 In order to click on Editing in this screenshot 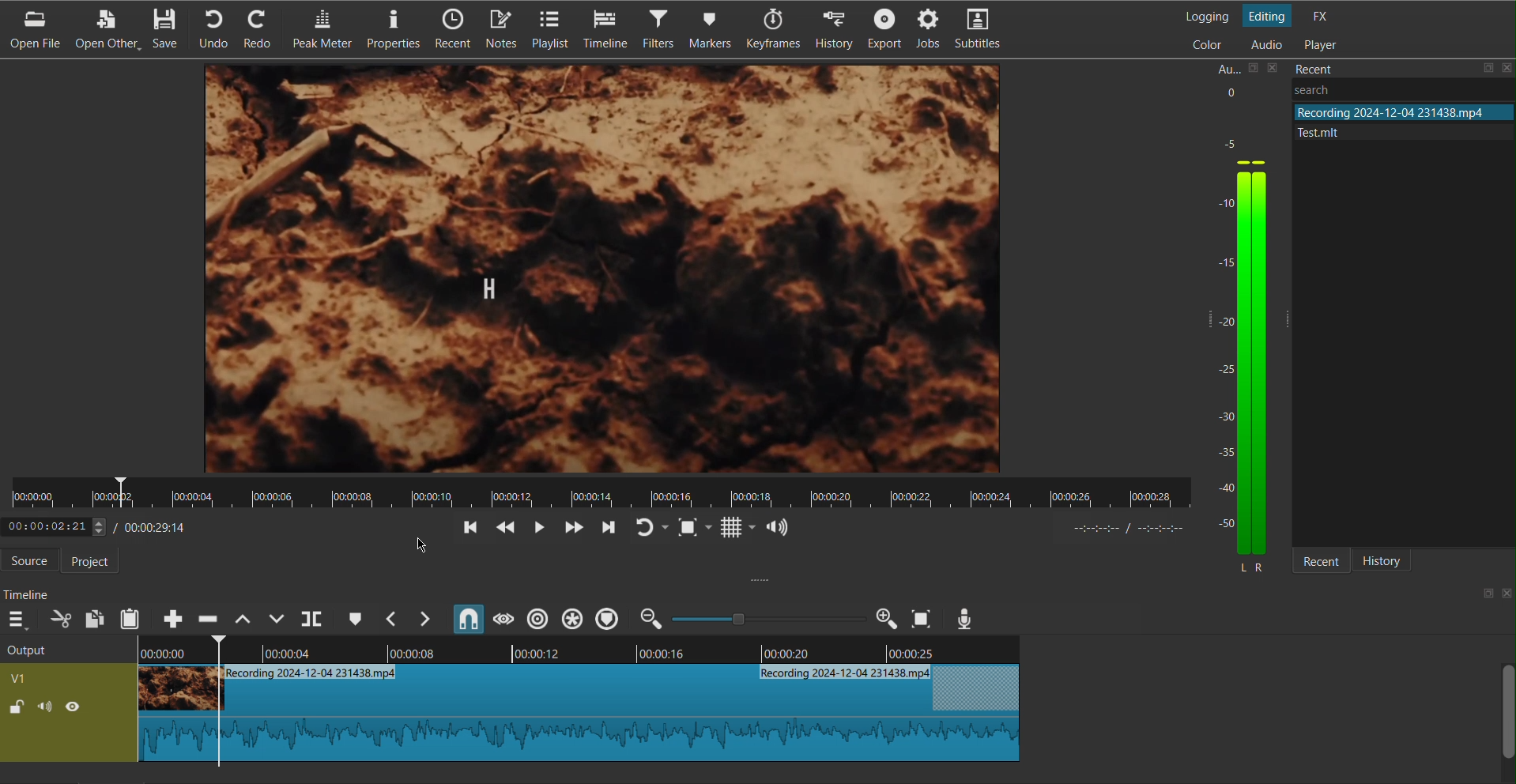, I will do `click(1270, 14)`.